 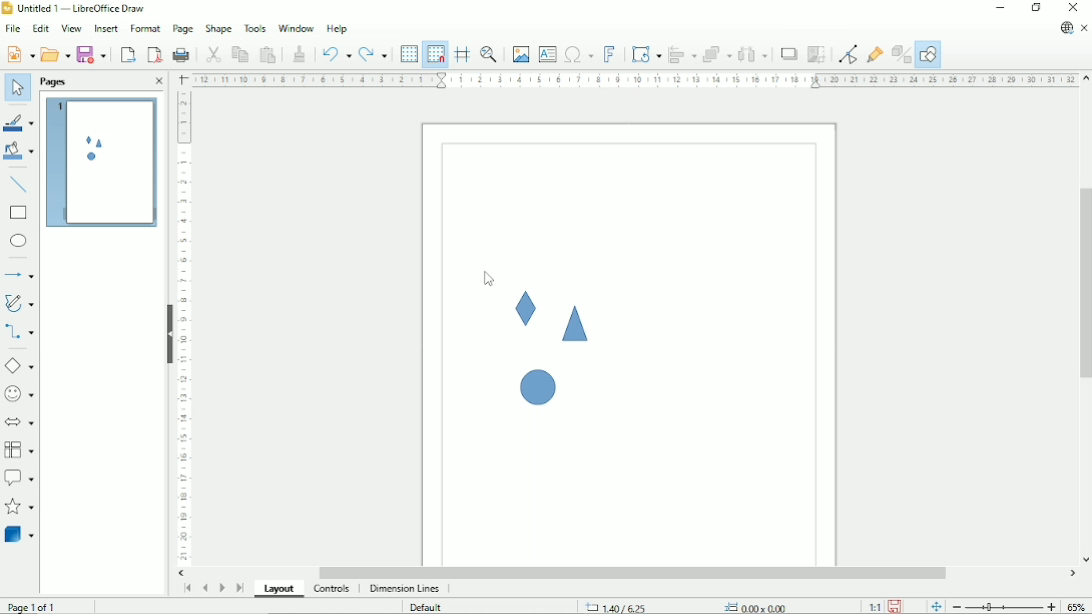 I want to click on Minimize, so click(x=1000, y=8).